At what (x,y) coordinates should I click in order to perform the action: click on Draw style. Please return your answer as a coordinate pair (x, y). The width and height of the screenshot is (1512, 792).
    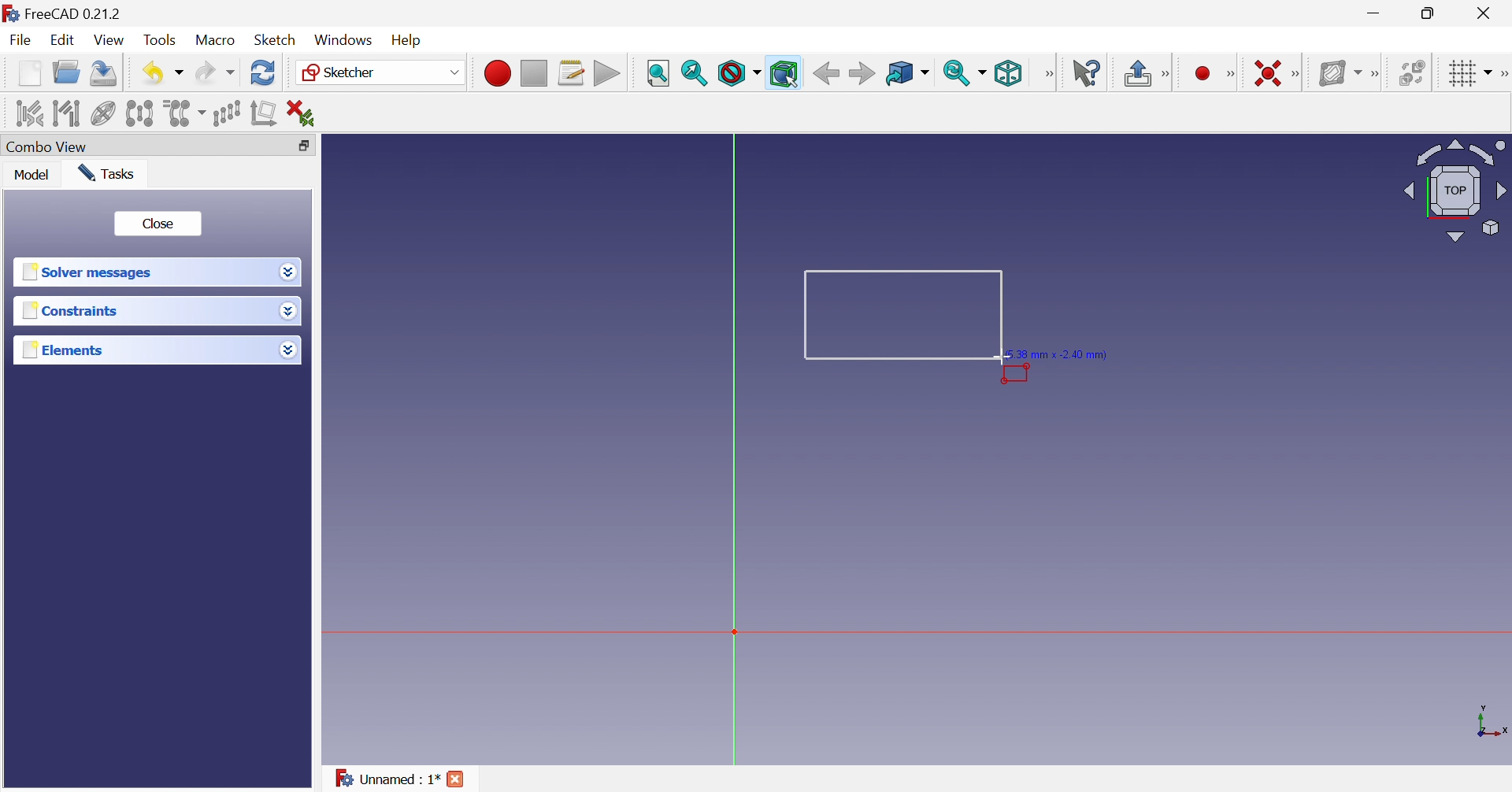
    Looking at the image, I should click on (739, 72).